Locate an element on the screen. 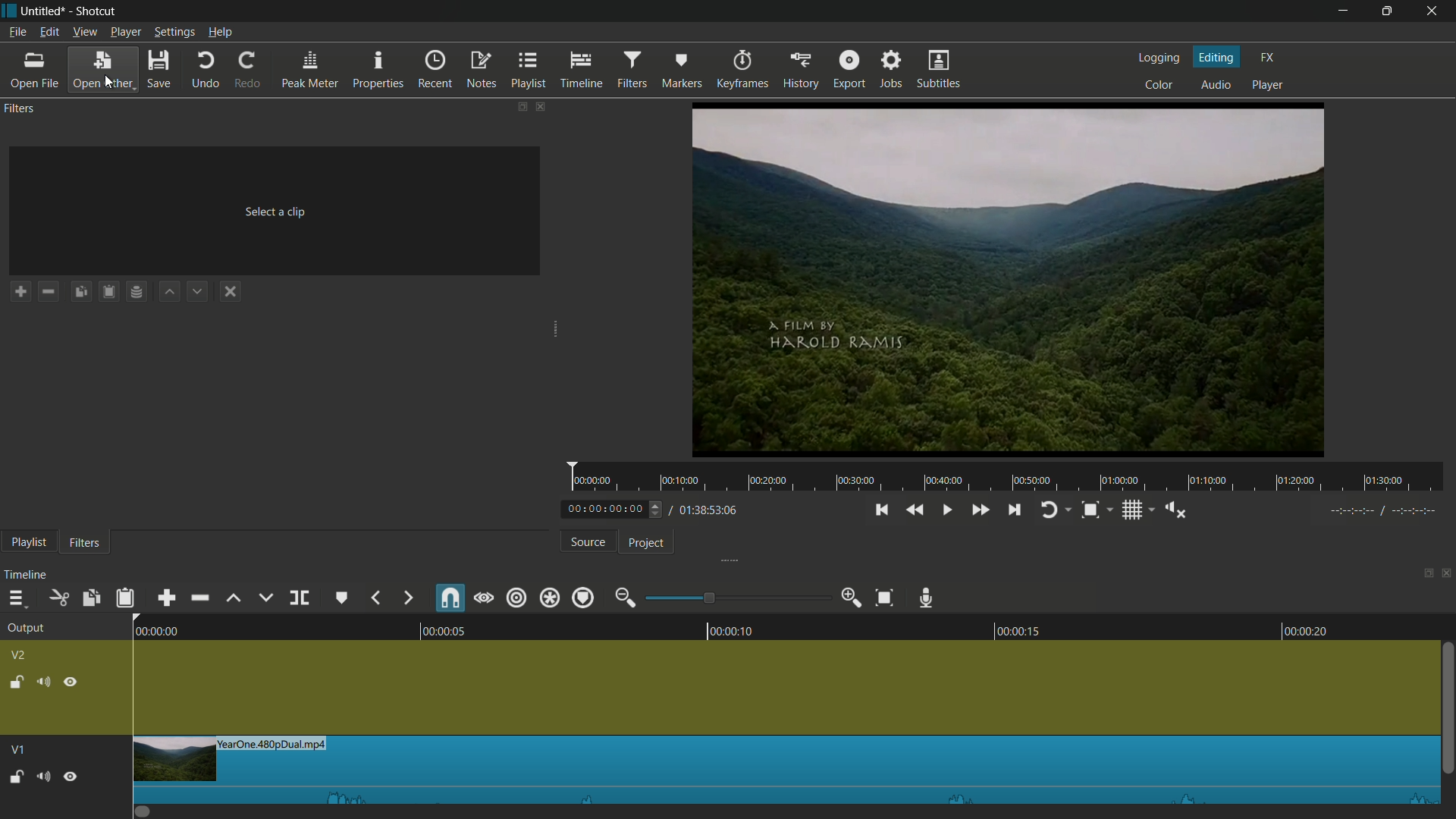  save is located at coordinates (158, 71).